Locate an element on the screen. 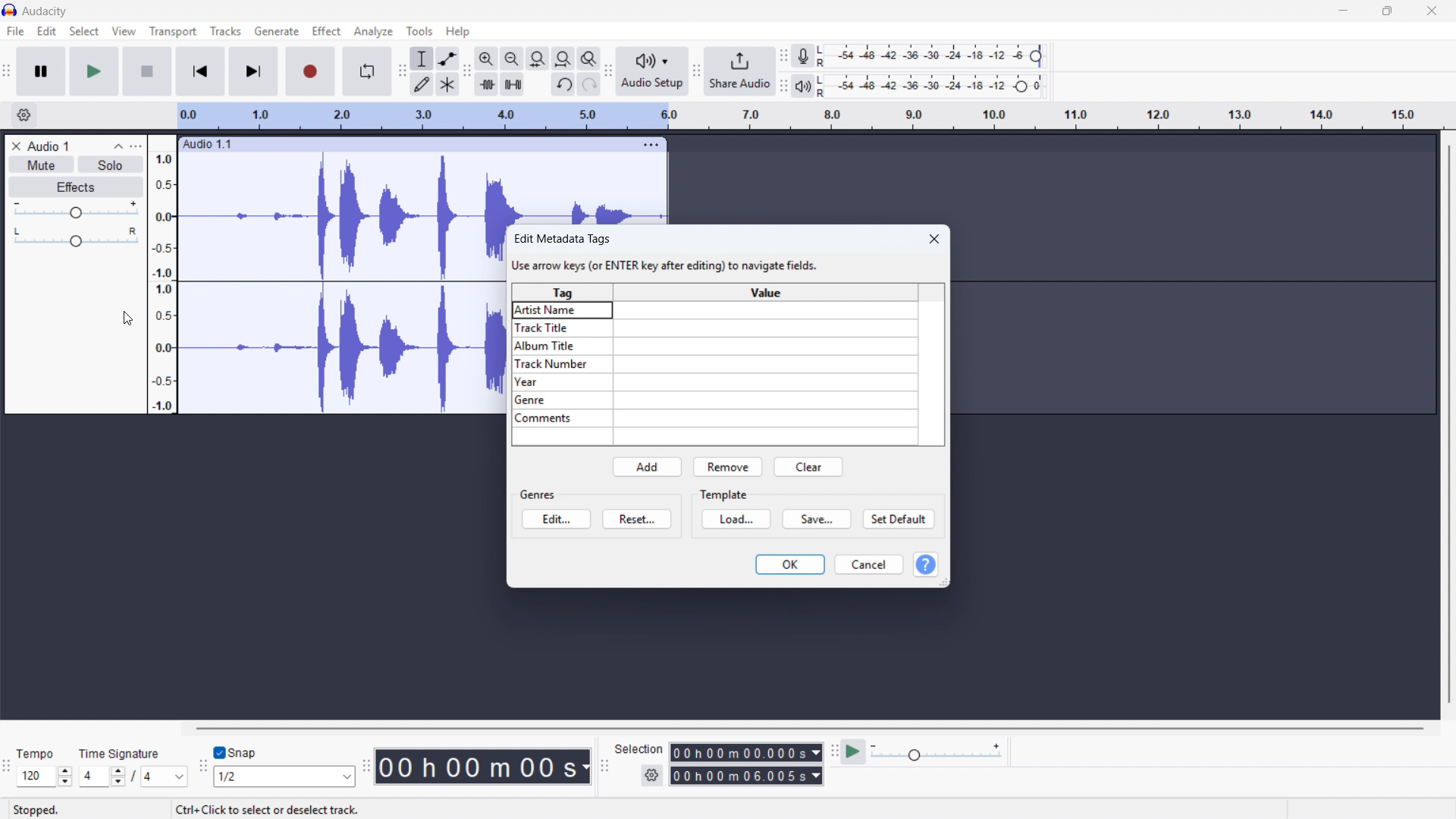  set snapping is located at coordinates (284, 777).